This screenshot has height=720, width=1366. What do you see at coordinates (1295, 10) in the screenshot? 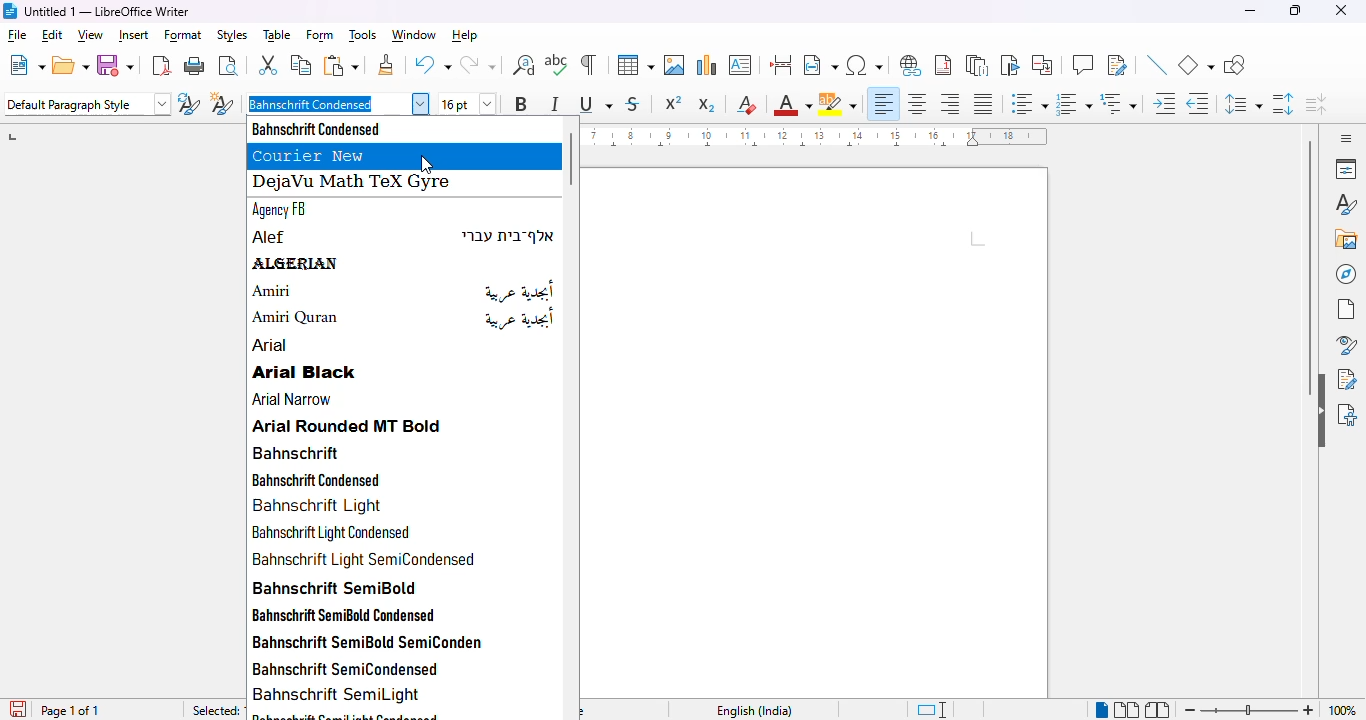
I see `maximize` at bounding box center [1295, 10].